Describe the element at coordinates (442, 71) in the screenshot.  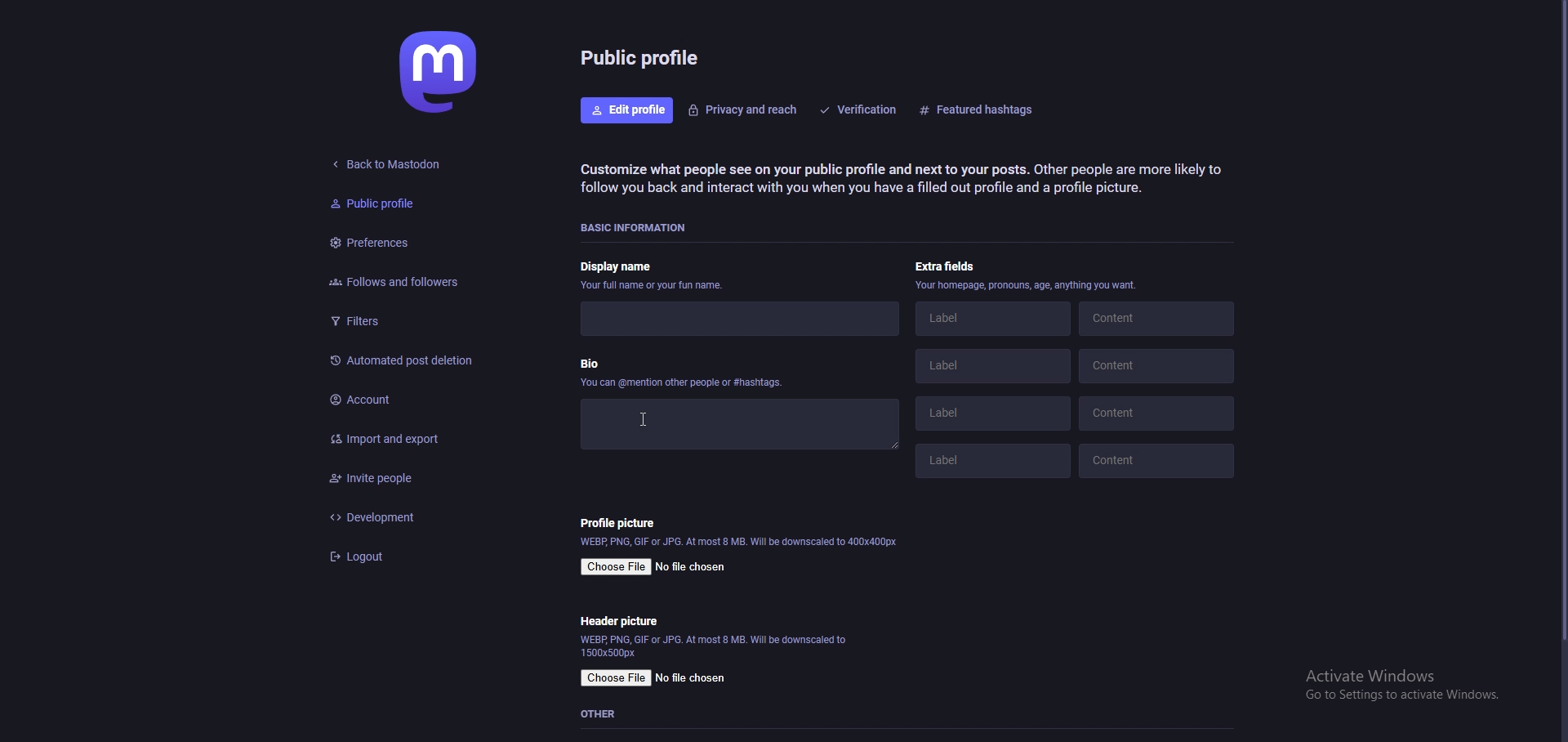
I see `mastodon` at that location.